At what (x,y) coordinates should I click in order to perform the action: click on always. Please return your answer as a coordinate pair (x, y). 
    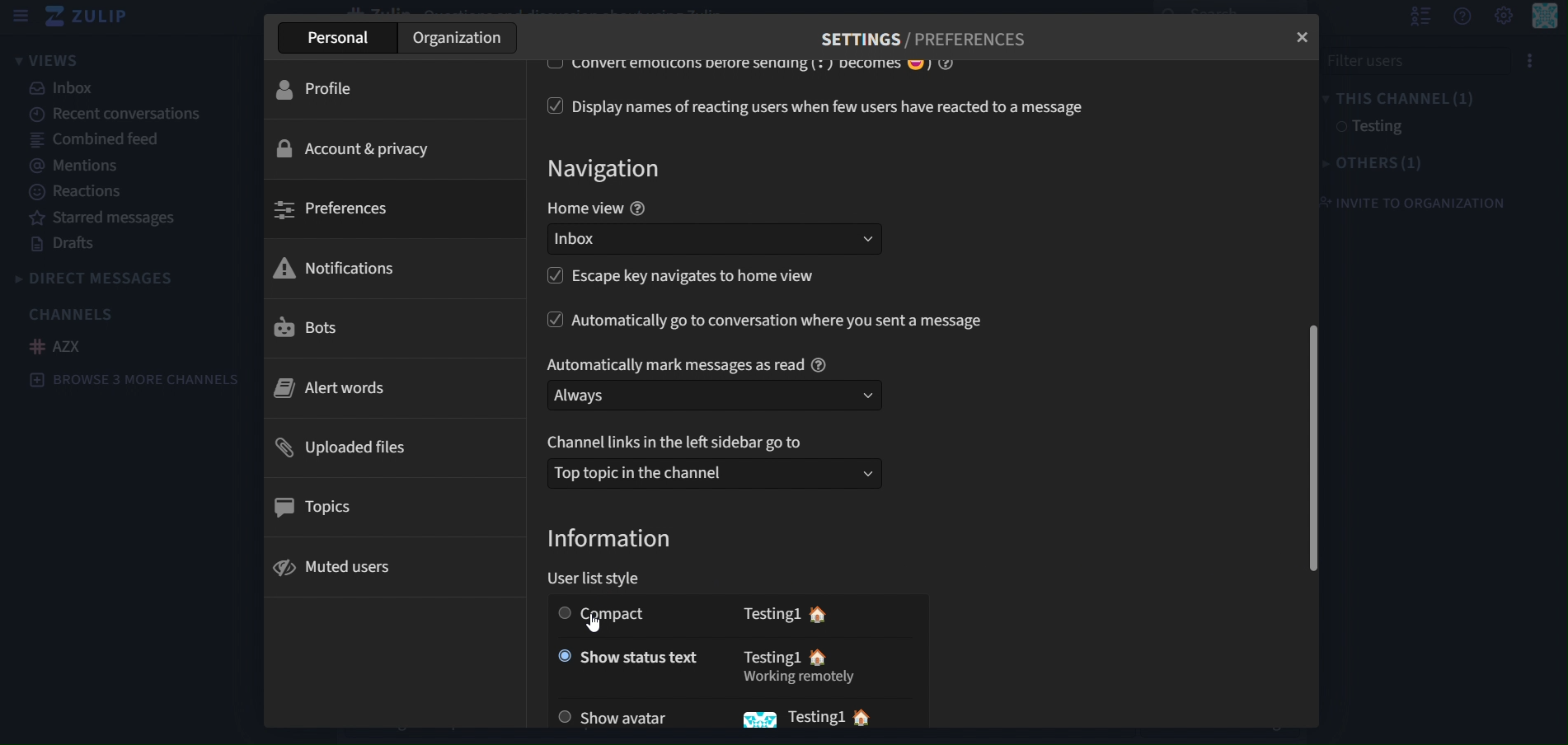
    Looking at the image, I should click on (715, 396).